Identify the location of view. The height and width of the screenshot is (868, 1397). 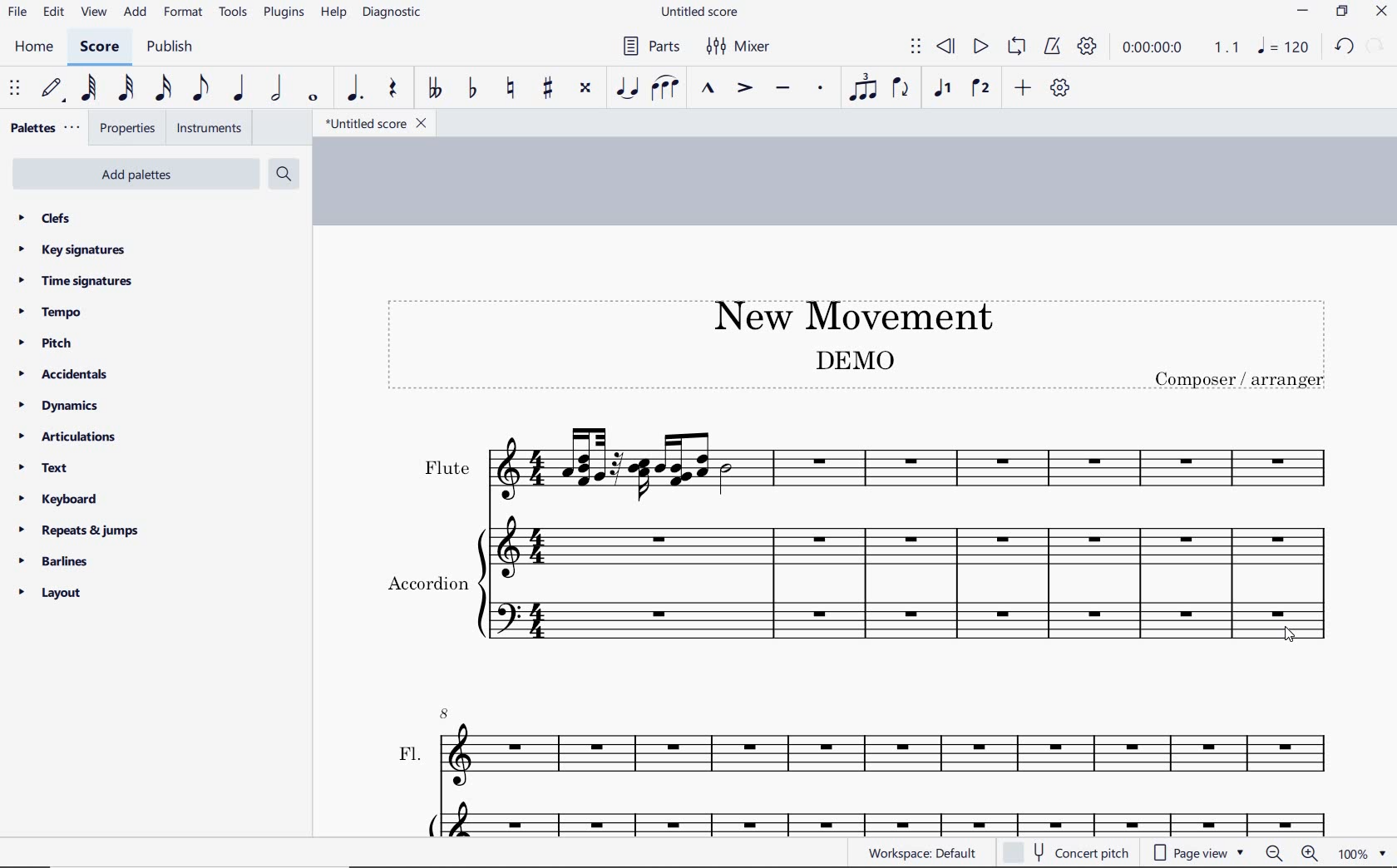
(91, 13).